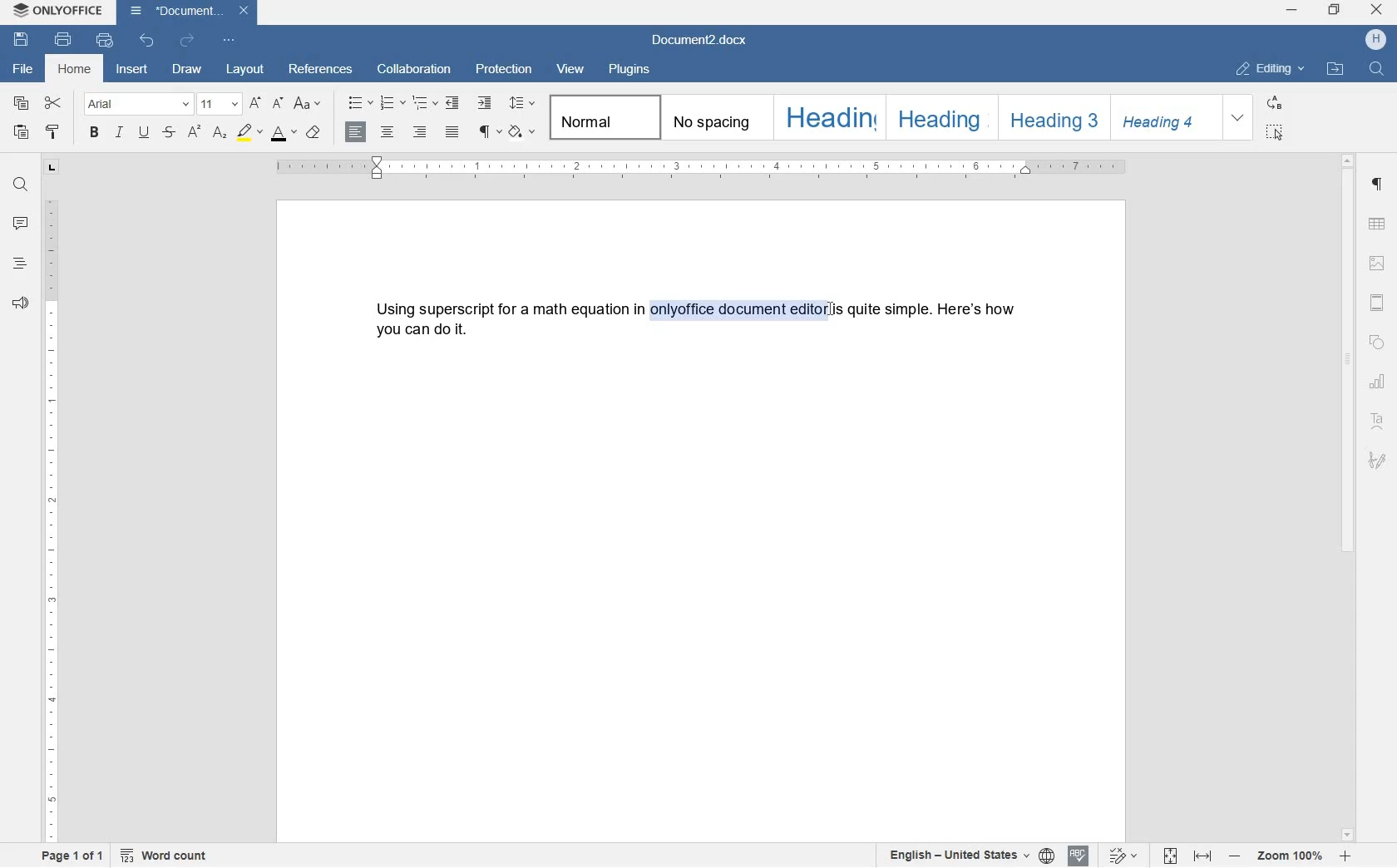 This screenshot has height=868, width=1397. What do you see at coordinates (1164, 118) in the screenshot?
I see `HEADING 4` at bounding box center [1164, 118].